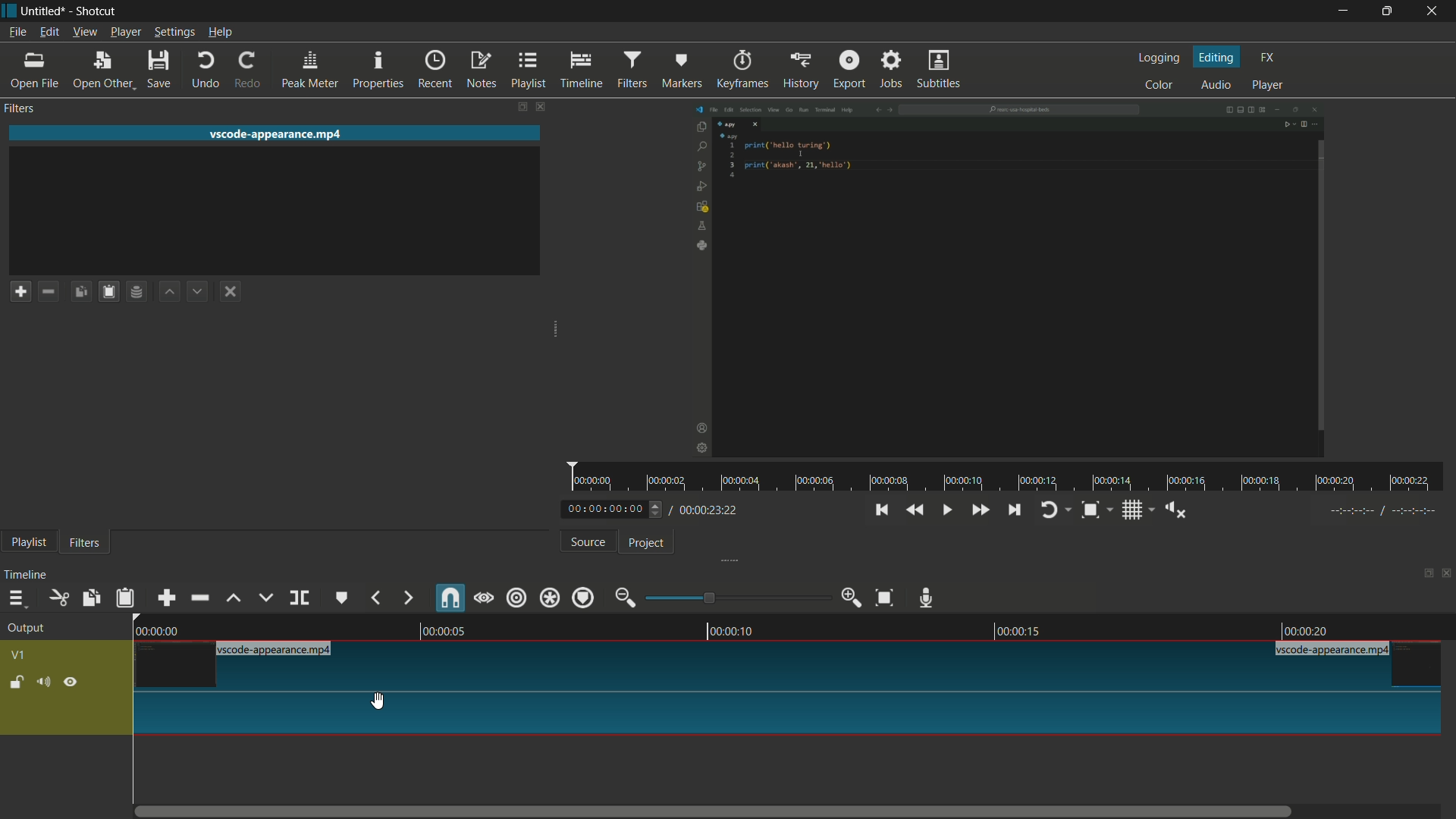 The width and height of the screenshot is (1456, 819). Describe the element at coordinates (48, 32) in the screenshot. I see `edit menu` at that location.